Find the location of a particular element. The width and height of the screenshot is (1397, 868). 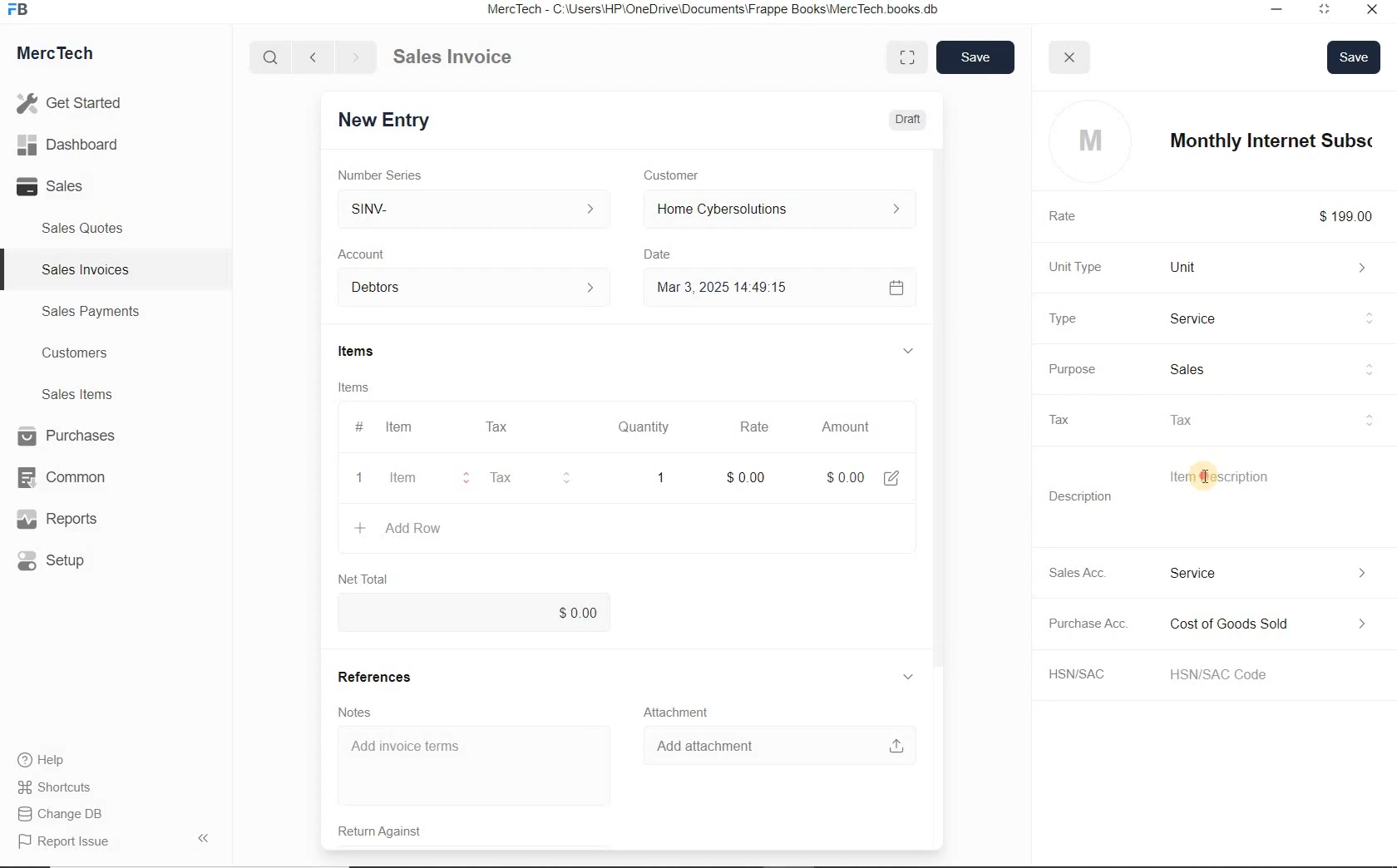

$0.00 is located at coordinates (475, 613).